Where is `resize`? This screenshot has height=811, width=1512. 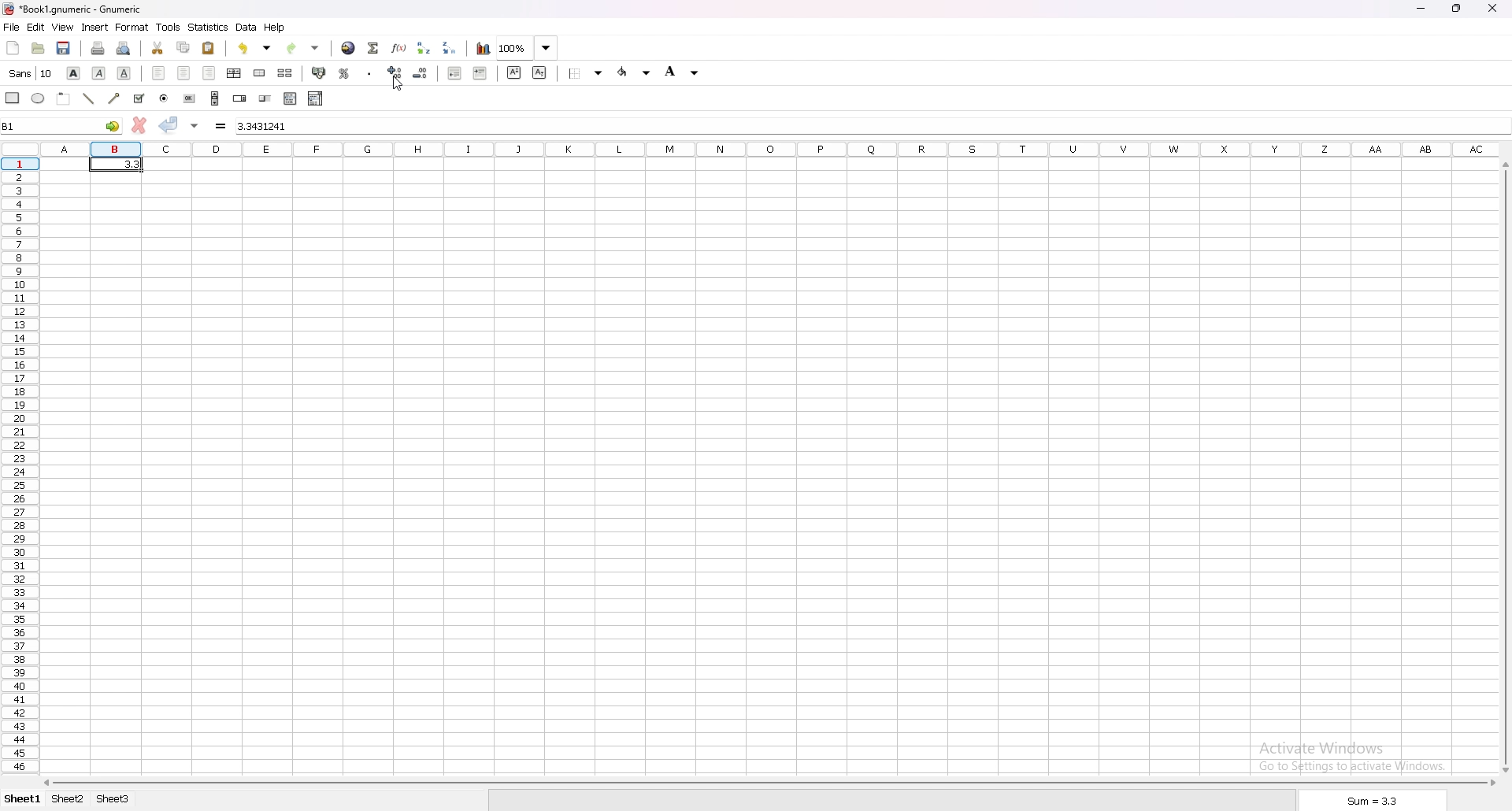 resize is located at coordinates (1458, 8).